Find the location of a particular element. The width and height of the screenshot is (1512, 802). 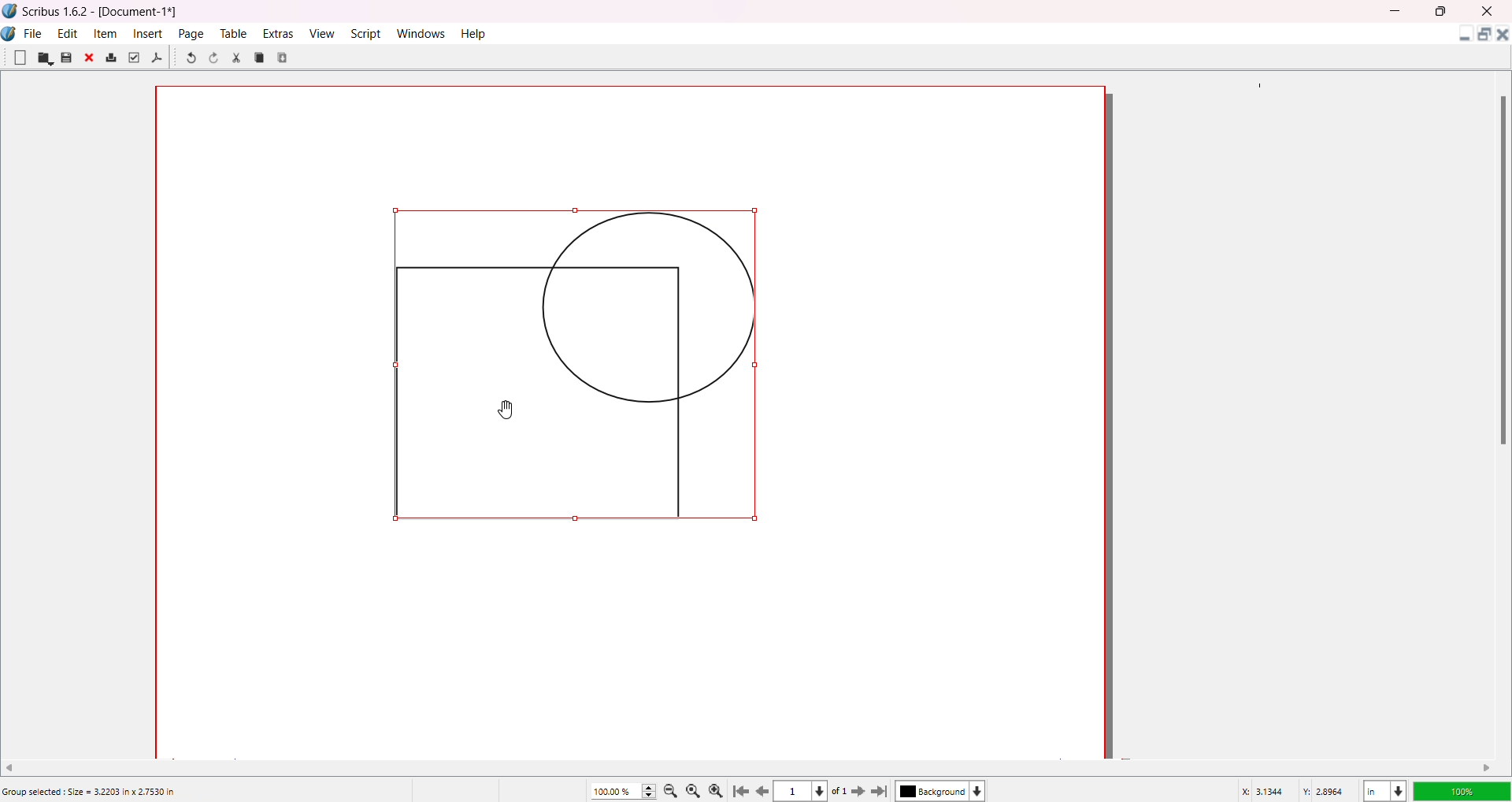

Group selected: Size = 3.2203 in x 2.7530 in is located at coordinates (91, 792).